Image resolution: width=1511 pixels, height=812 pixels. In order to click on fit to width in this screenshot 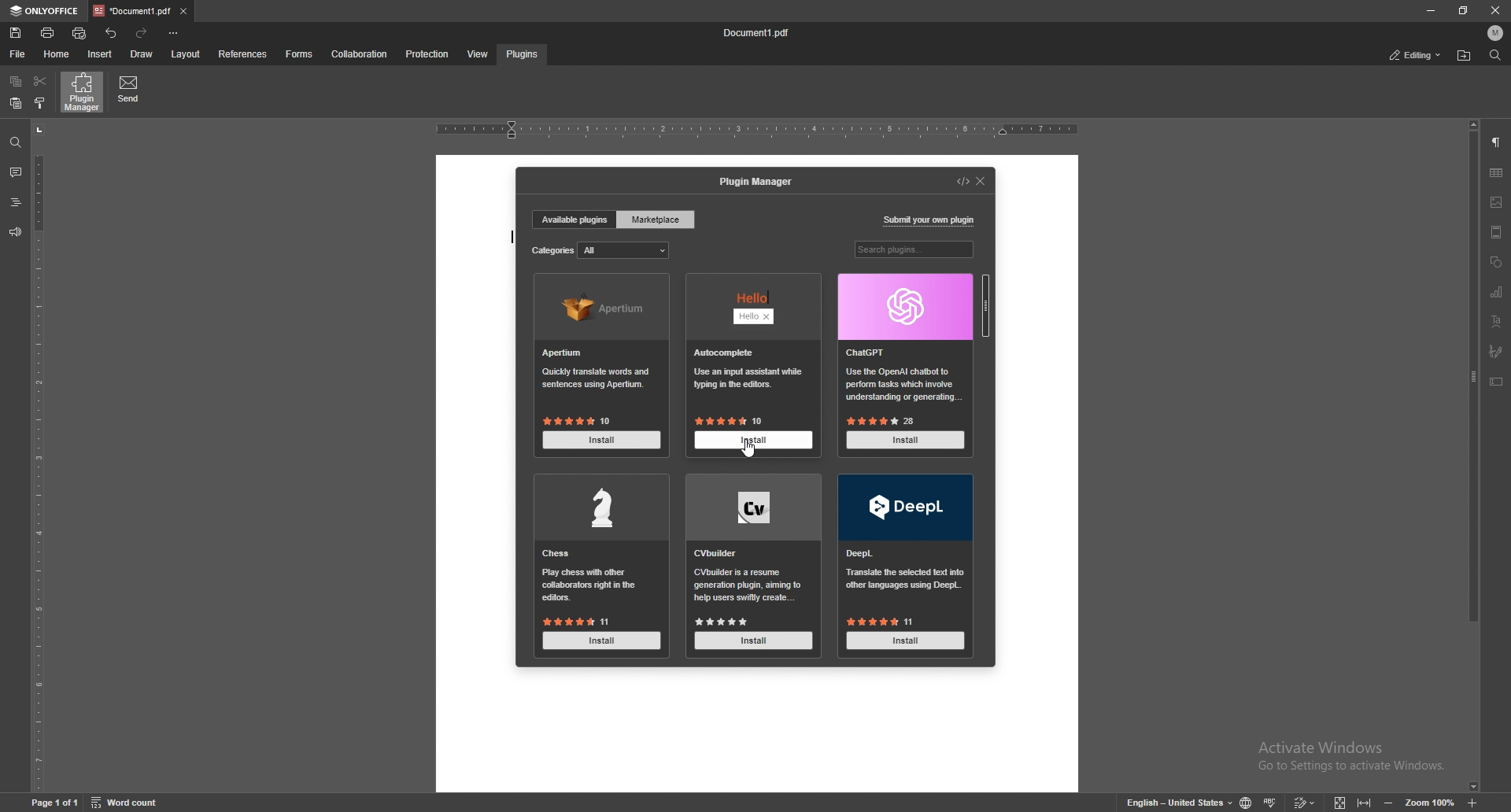, I will do `click(1365, 801)`.